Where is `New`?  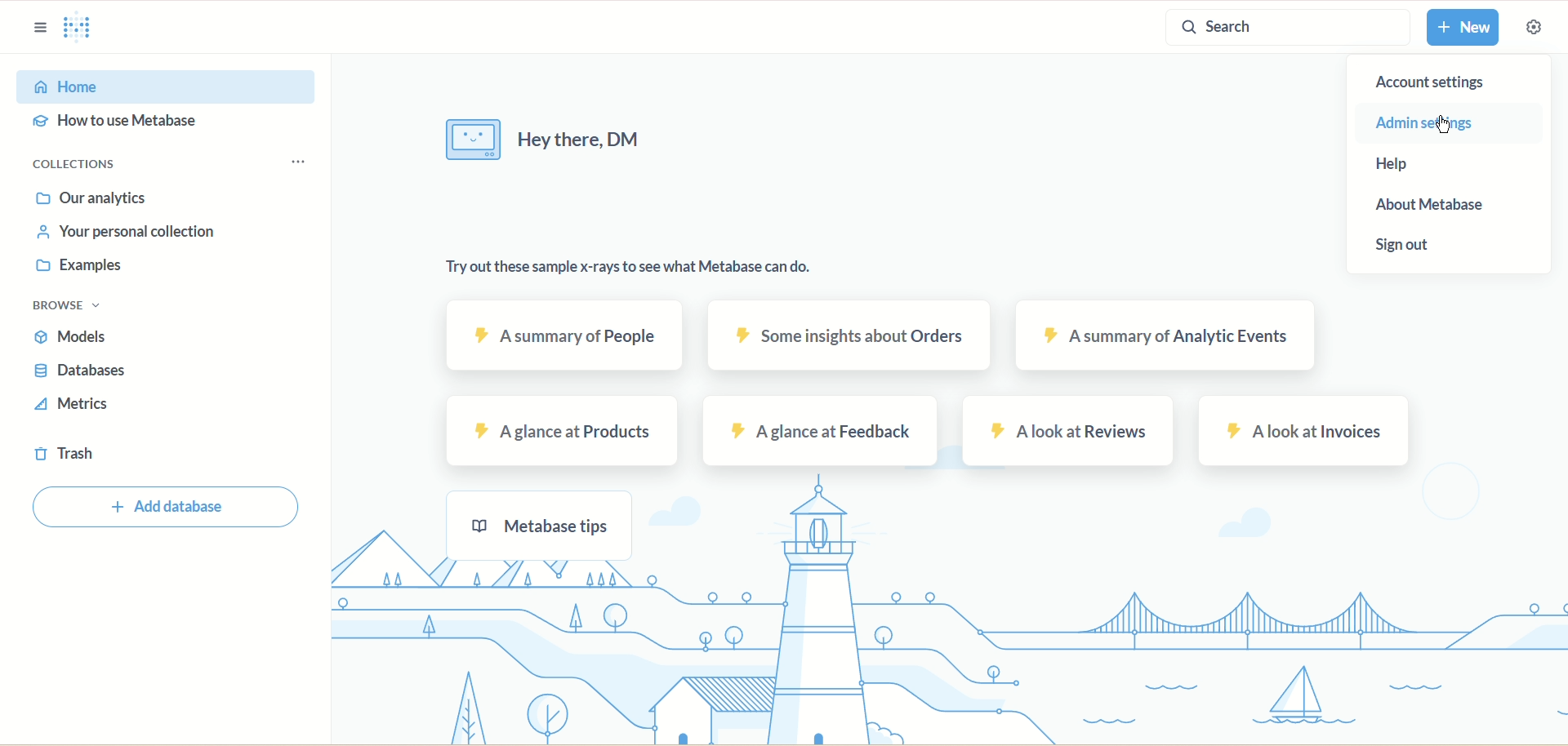 New is located at coordinates (1466, 29).